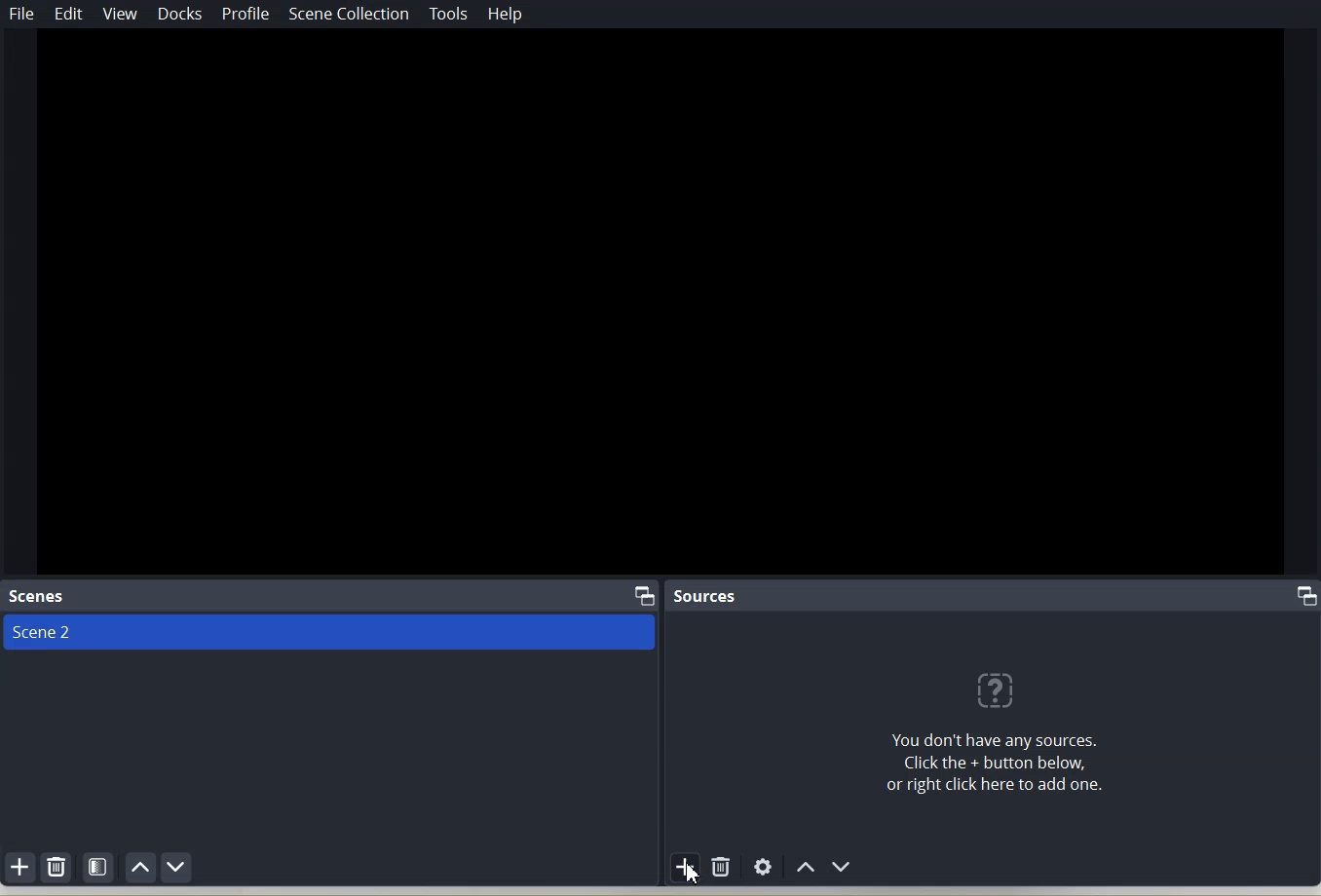 This screenshot has width=1321, height=896. What do you see at coordinates (1307, 596) in the screenshot?
I see `Maximize` at bounding box center [1307, 596].